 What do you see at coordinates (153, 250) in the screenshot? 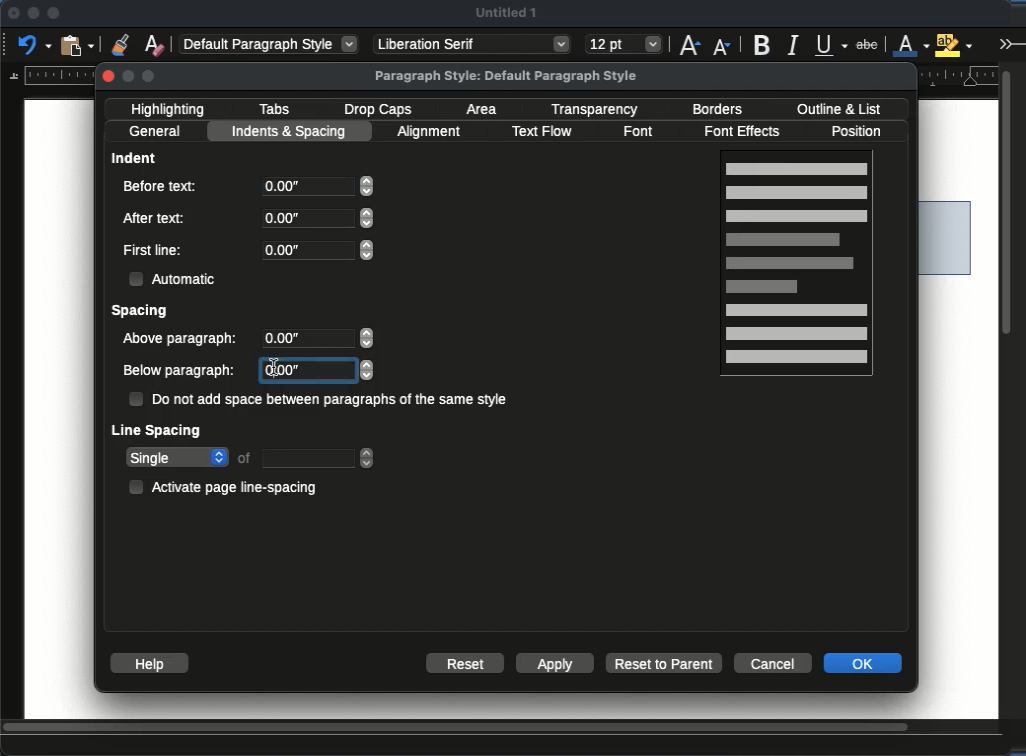
I see `first line` at bounding box center [153, 250].